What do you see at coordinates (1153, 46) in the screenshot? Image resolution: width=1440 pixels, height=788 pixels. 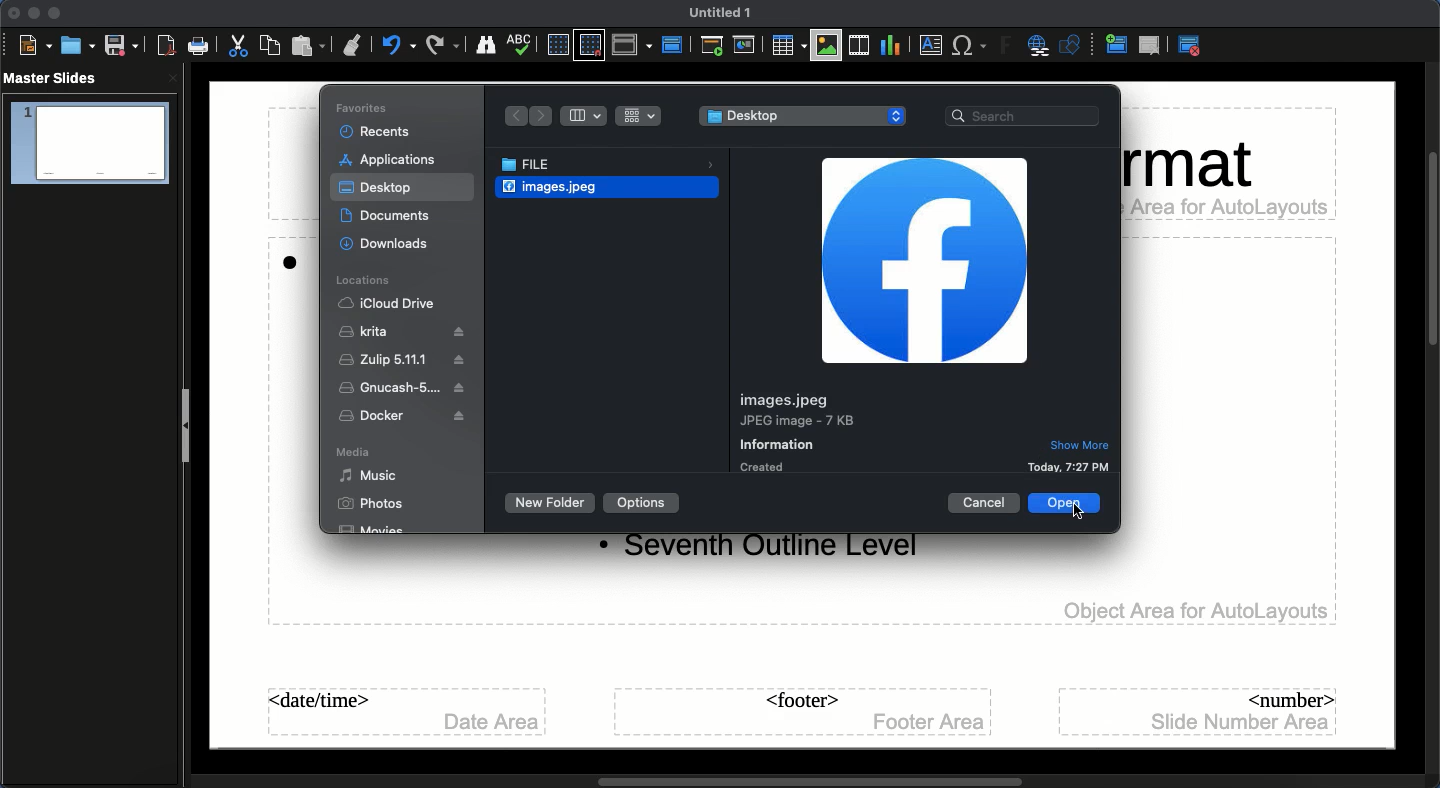 I see `Delete master` at bounding box center [1153, 46].